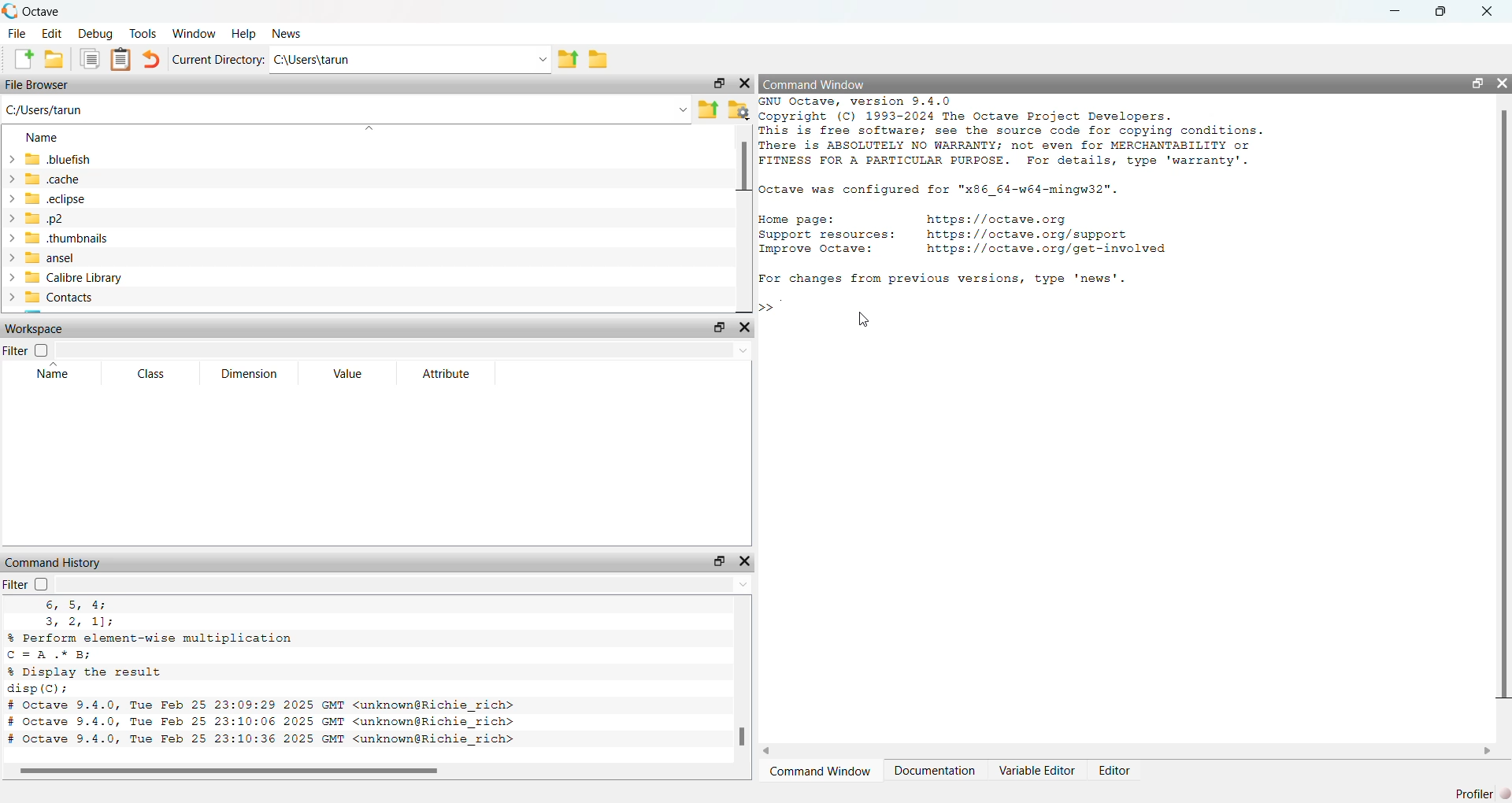  What do you see at coordinates (196, 33) in the screenshot?
I see `‘Window` at bounding box center [196, 33].